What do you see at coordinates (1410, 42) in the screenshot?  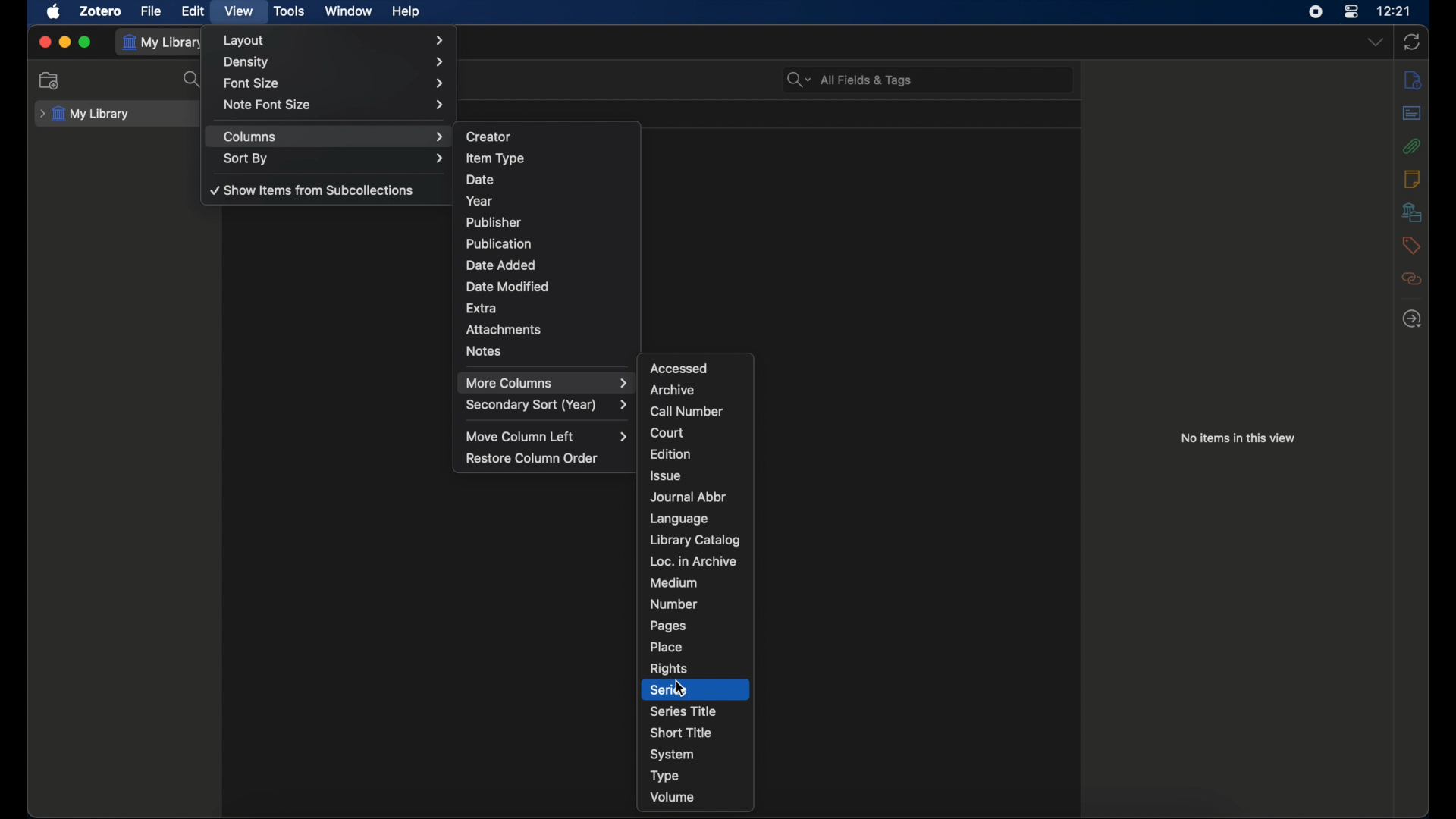 I see `sync` at bounding box center [1410, 42].